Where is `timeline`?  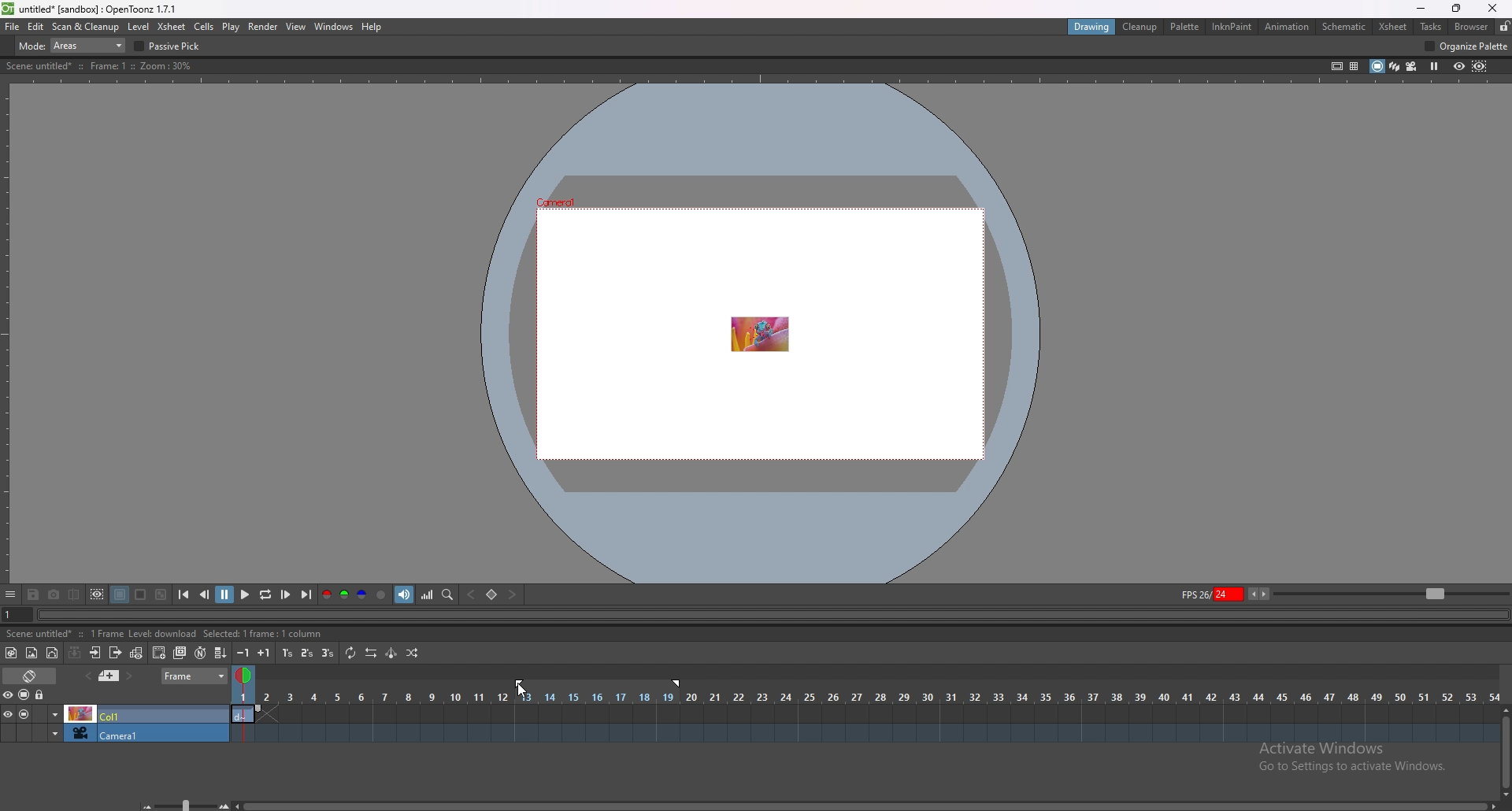 timeline is located at coordinates (865, 713).